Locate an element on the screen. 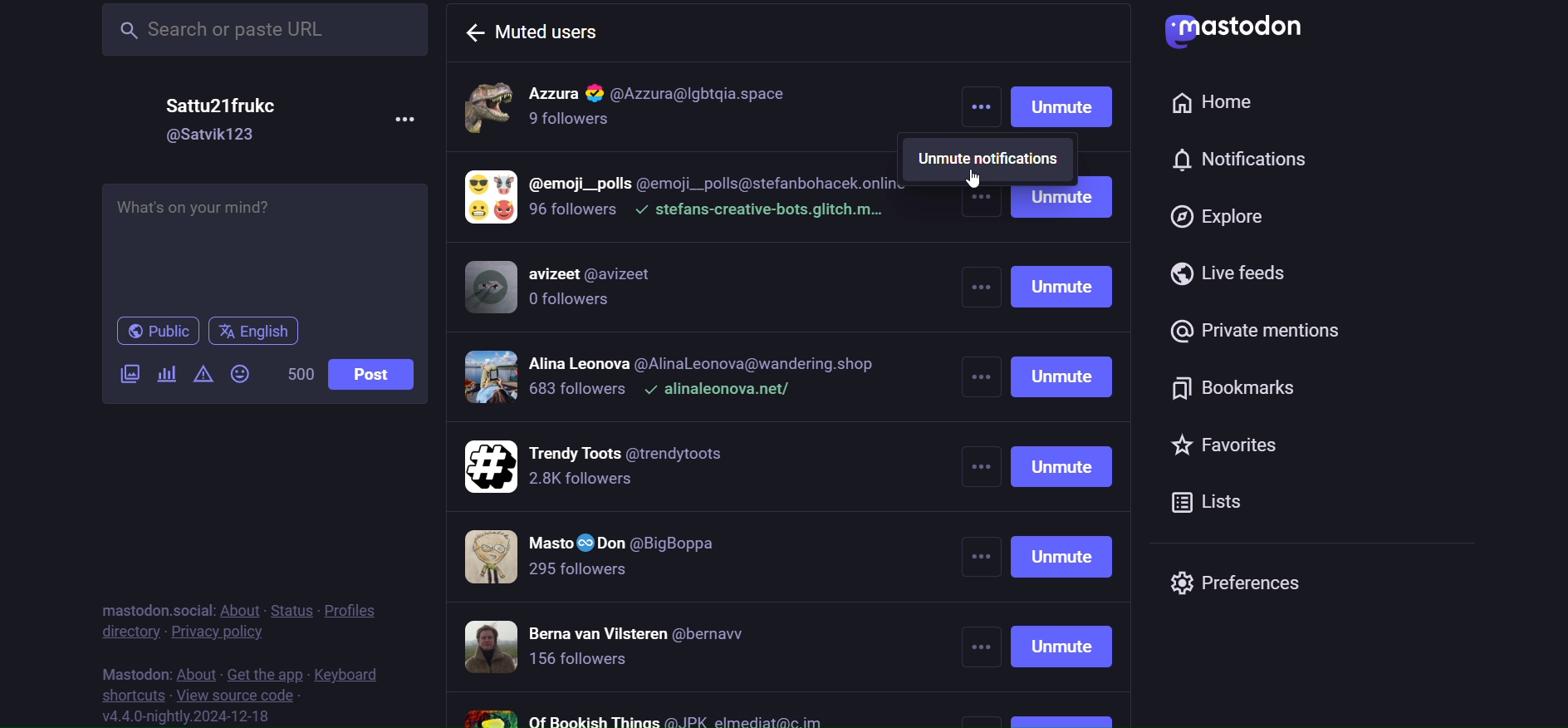 The width and height of the screenshot is (1568, 728). muted accounts 1 is located at coordinates (699, 106).